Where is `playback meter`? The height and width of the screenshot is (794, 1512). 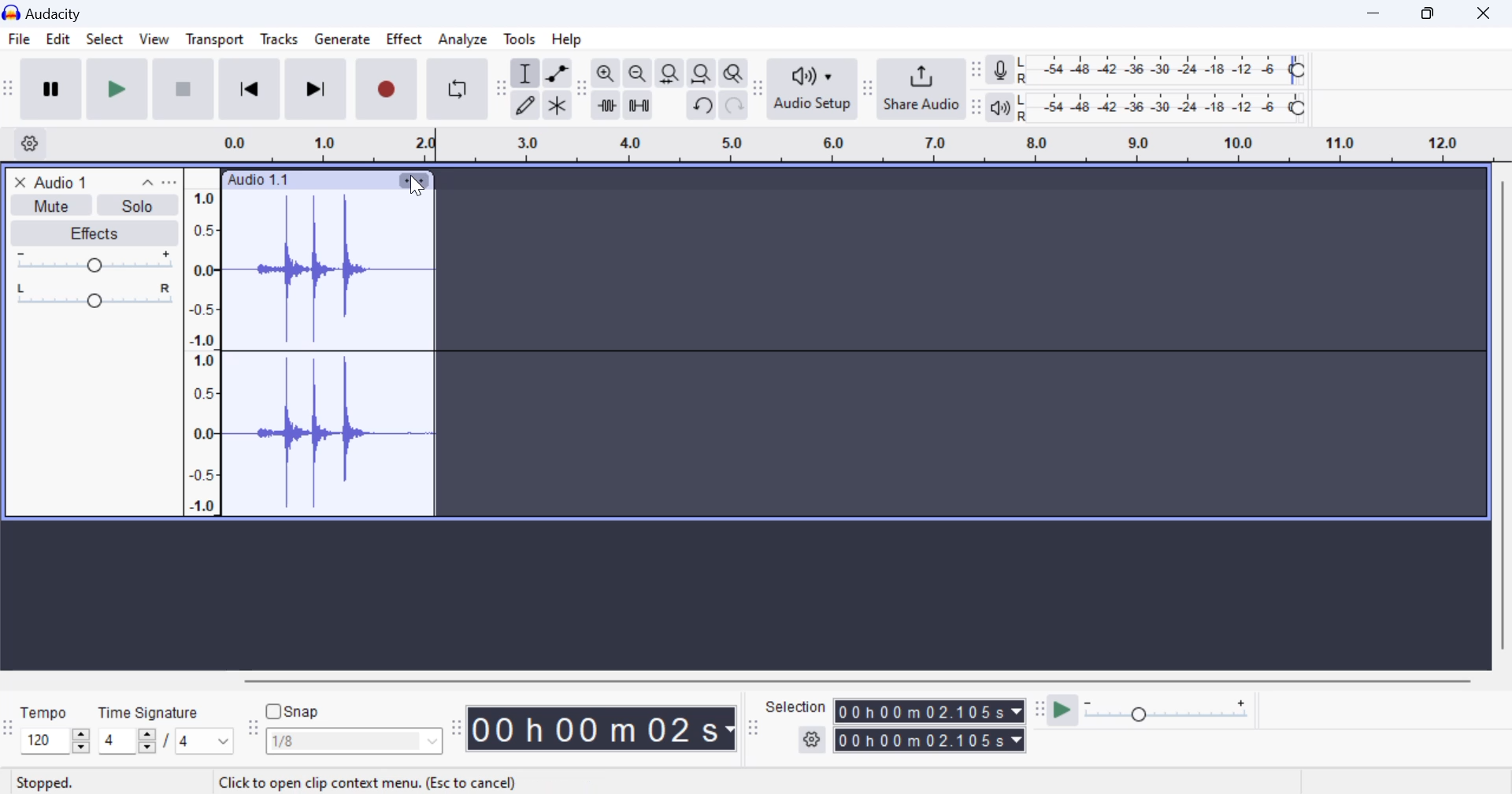
playback meter is located at coordinates (1001, 107).